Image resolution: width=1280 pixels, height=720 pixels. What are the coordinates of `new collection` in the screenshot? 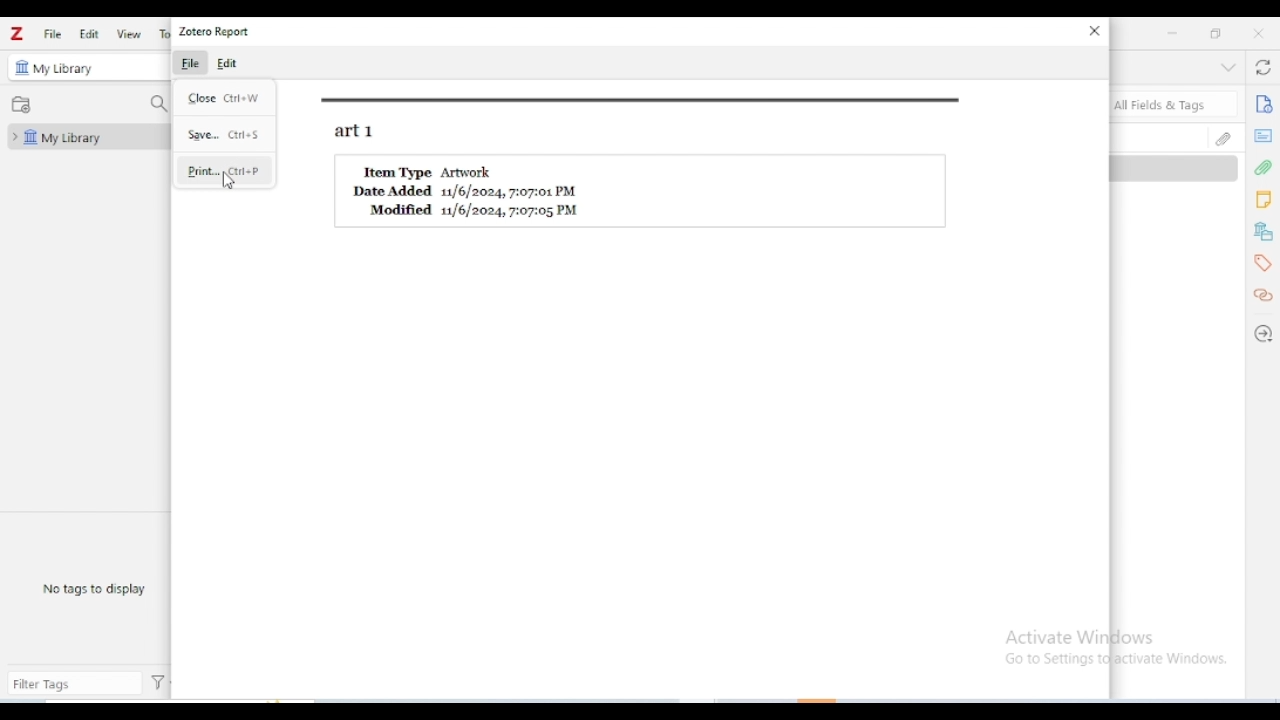 It's located at (21, 104).